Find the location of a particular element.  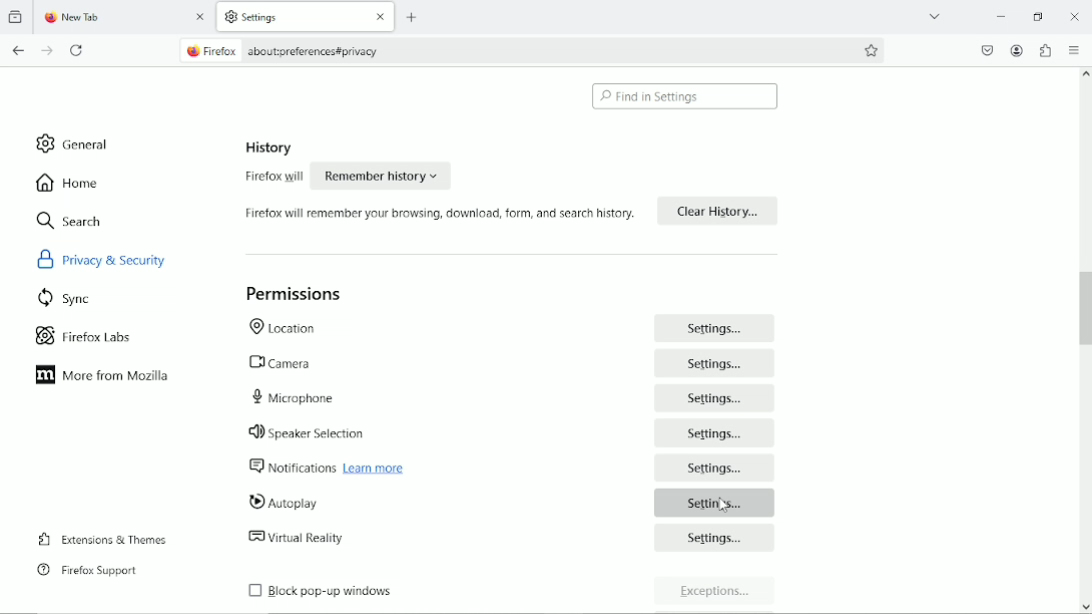

find in settings is located at coordinates (687, 96).